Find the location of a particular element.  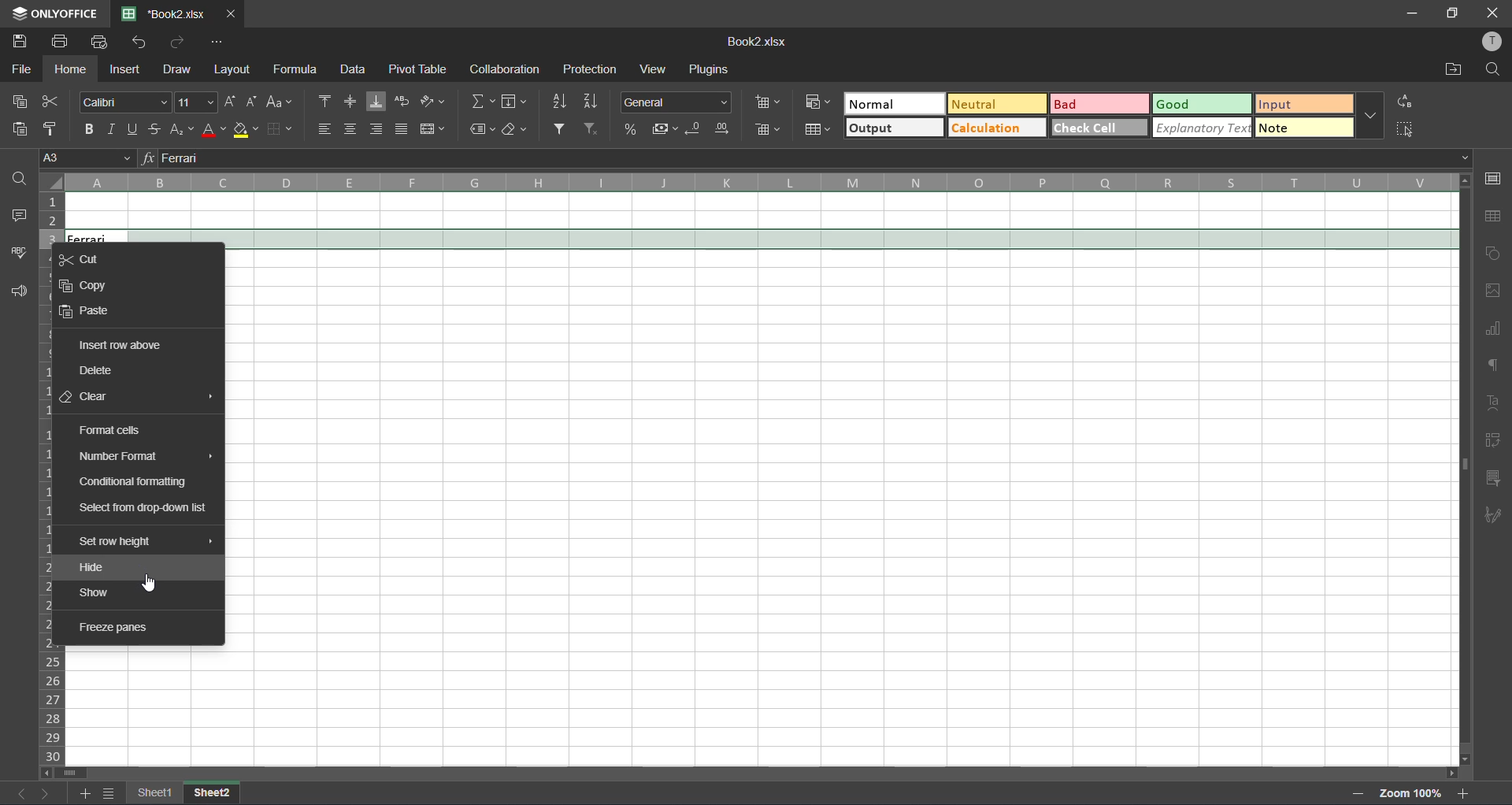

profile is located at coordinates (1493, 43).